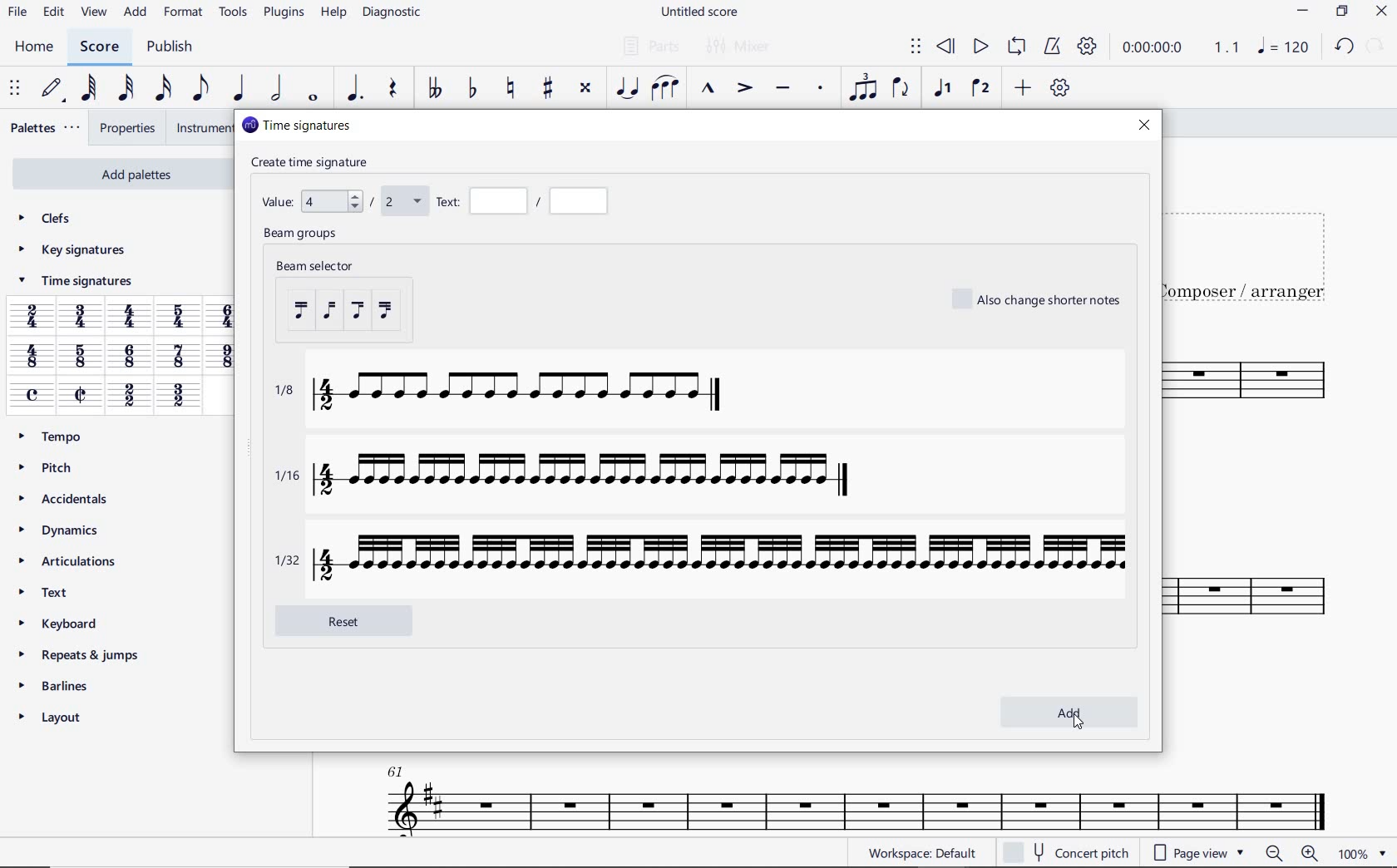  What do you see at coordinates (46, 128) in the screenshot?
I see `PALETTES` at bounding box center [46, 128].